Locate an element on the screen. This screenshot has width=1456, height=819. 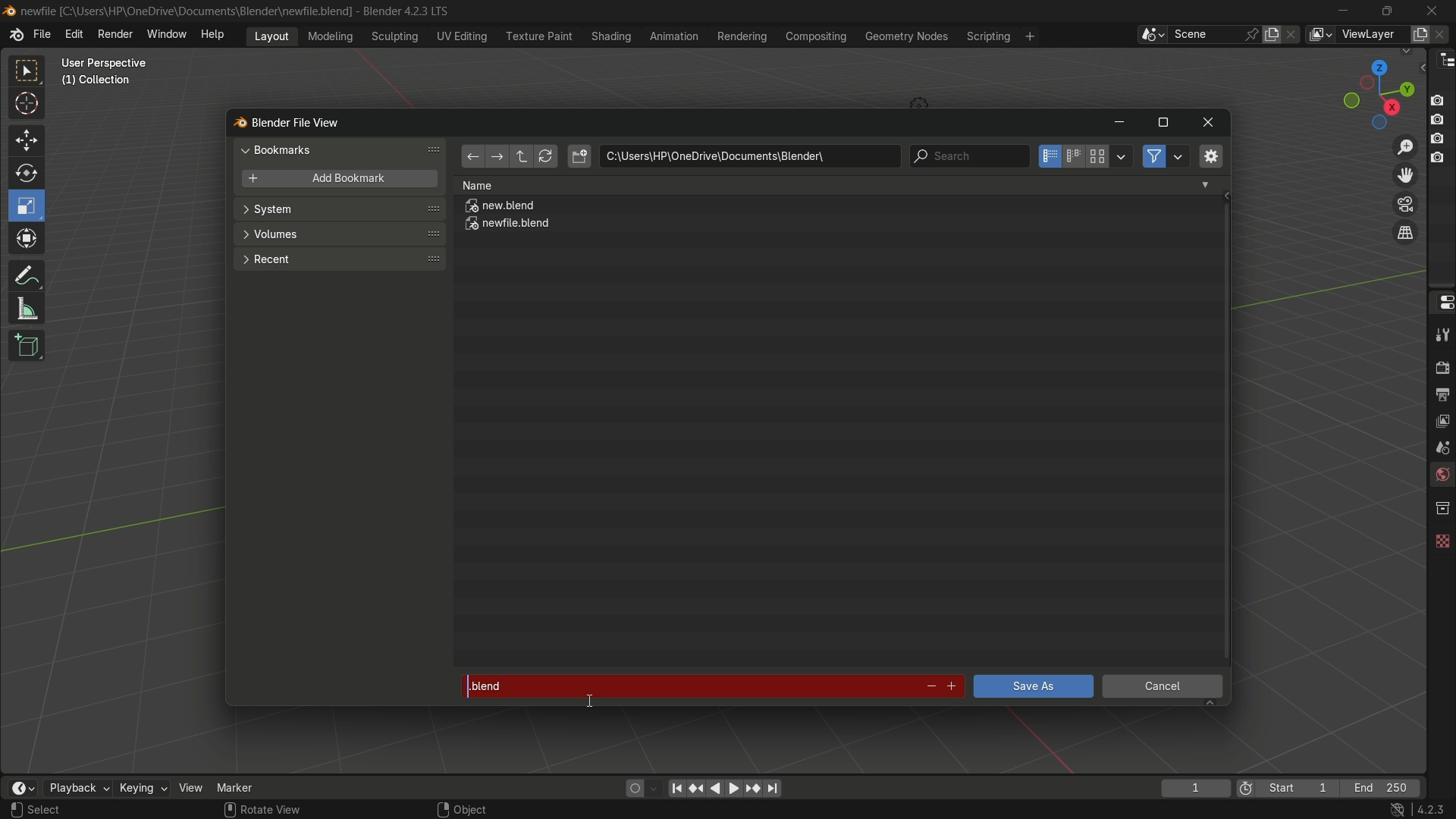
horizontal list is located at coordinates (1073, 156).